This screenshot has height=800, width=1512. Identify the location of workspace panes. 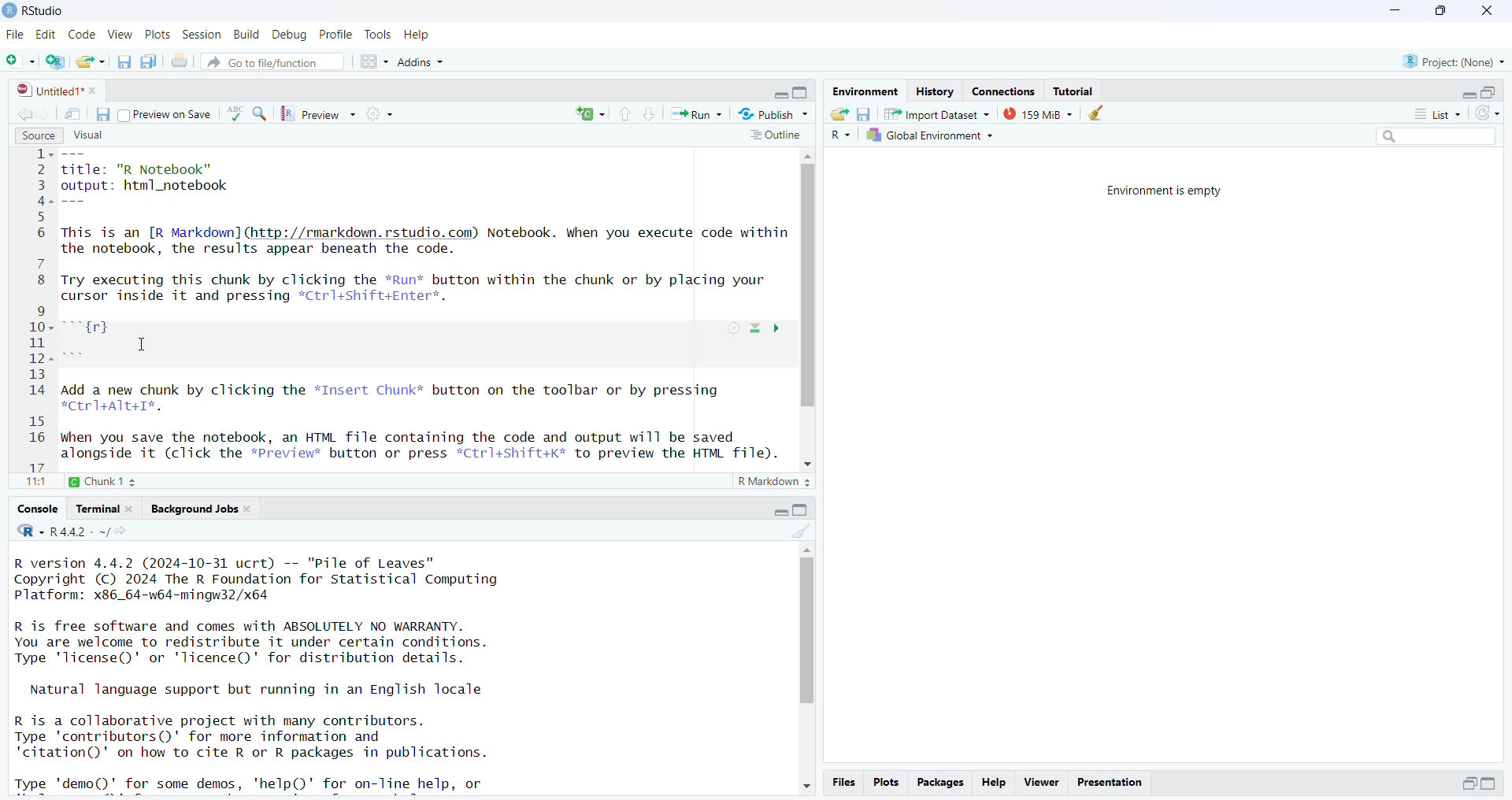
(375, 61).